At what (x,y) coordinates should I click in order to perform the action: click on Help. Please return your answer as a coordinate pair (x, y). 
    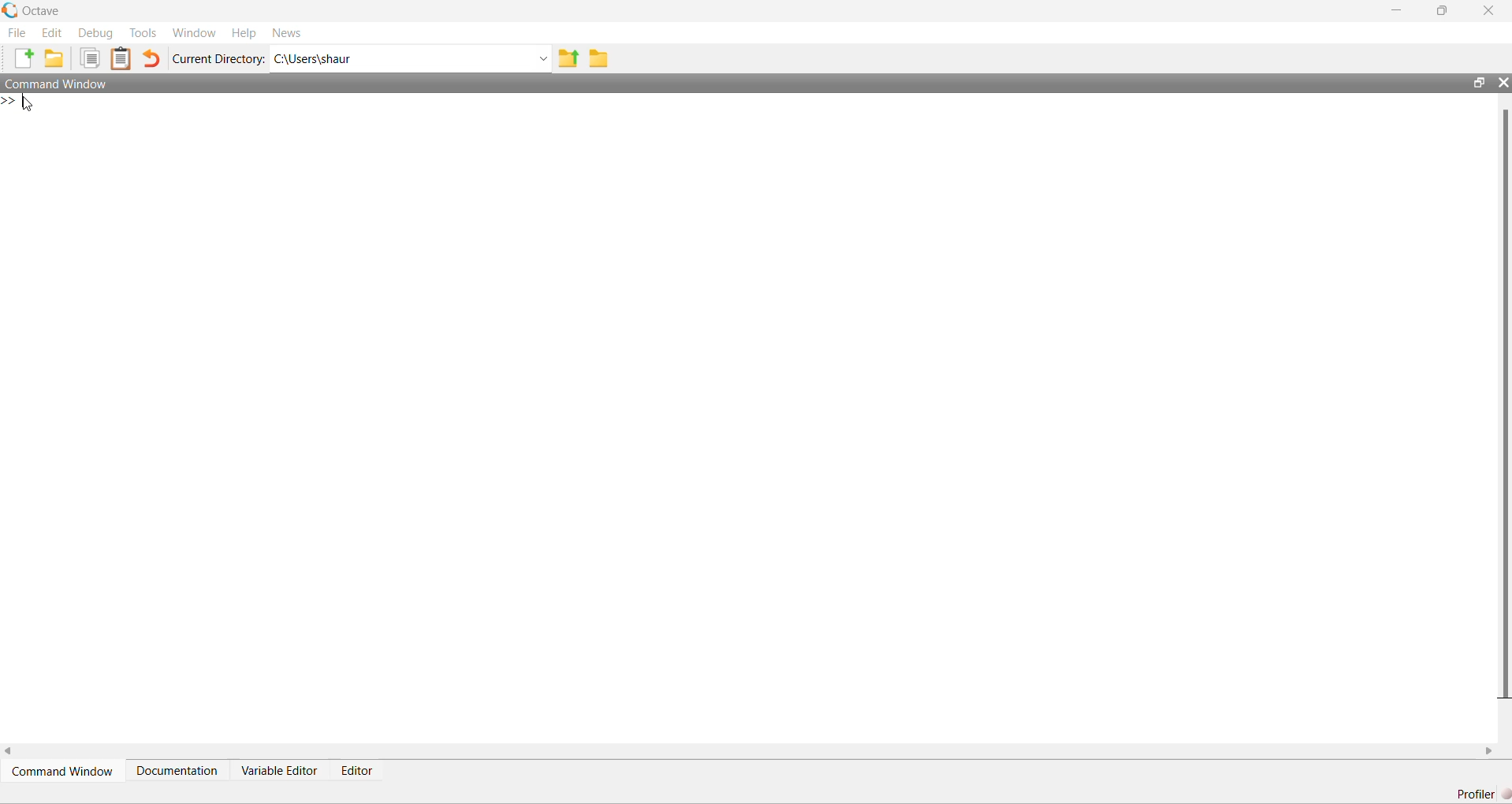
    Looking at the image, I should click on (244, 34).